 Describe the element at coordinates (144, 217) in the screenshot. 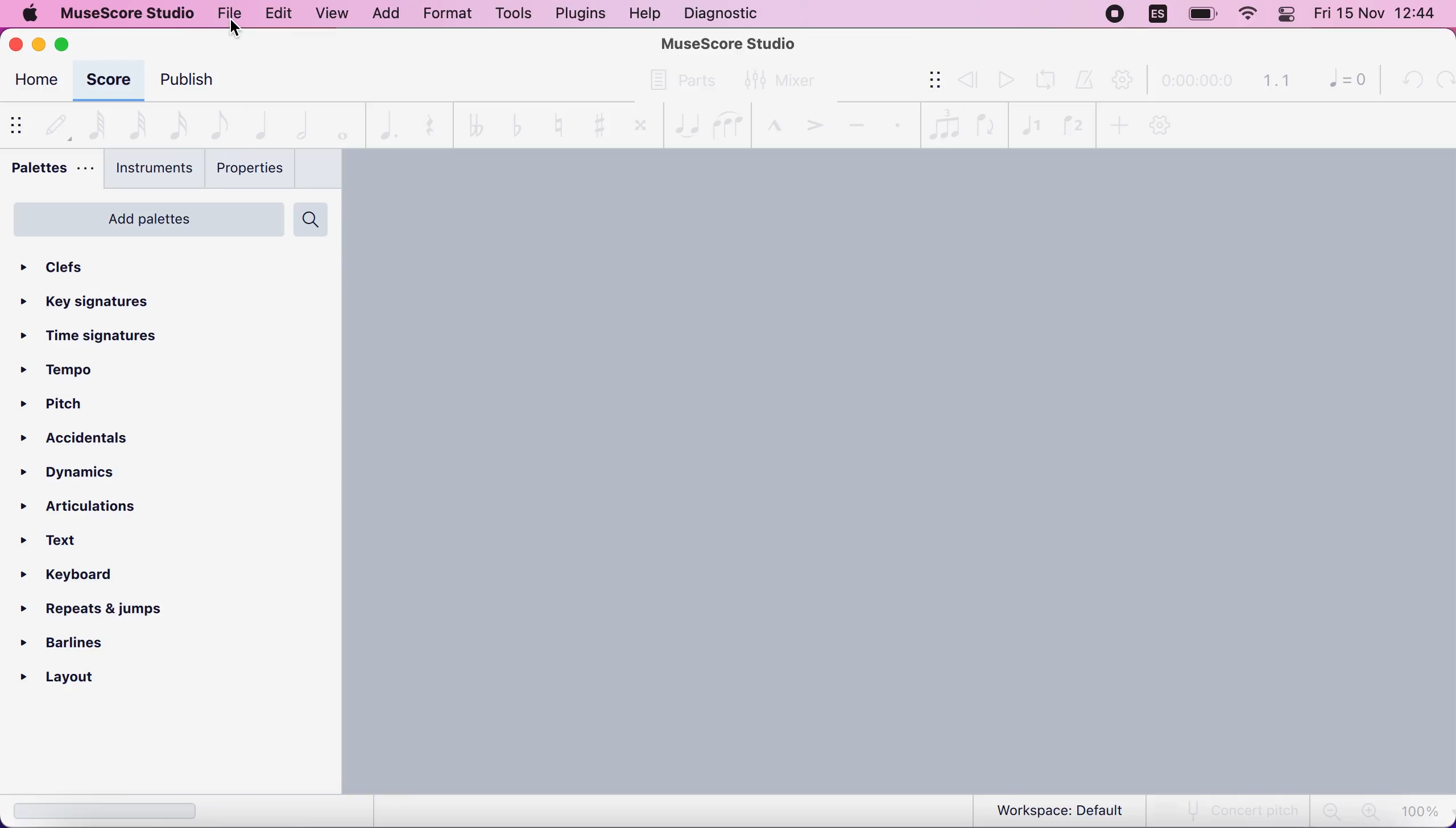

I see `add palettes` at that location.